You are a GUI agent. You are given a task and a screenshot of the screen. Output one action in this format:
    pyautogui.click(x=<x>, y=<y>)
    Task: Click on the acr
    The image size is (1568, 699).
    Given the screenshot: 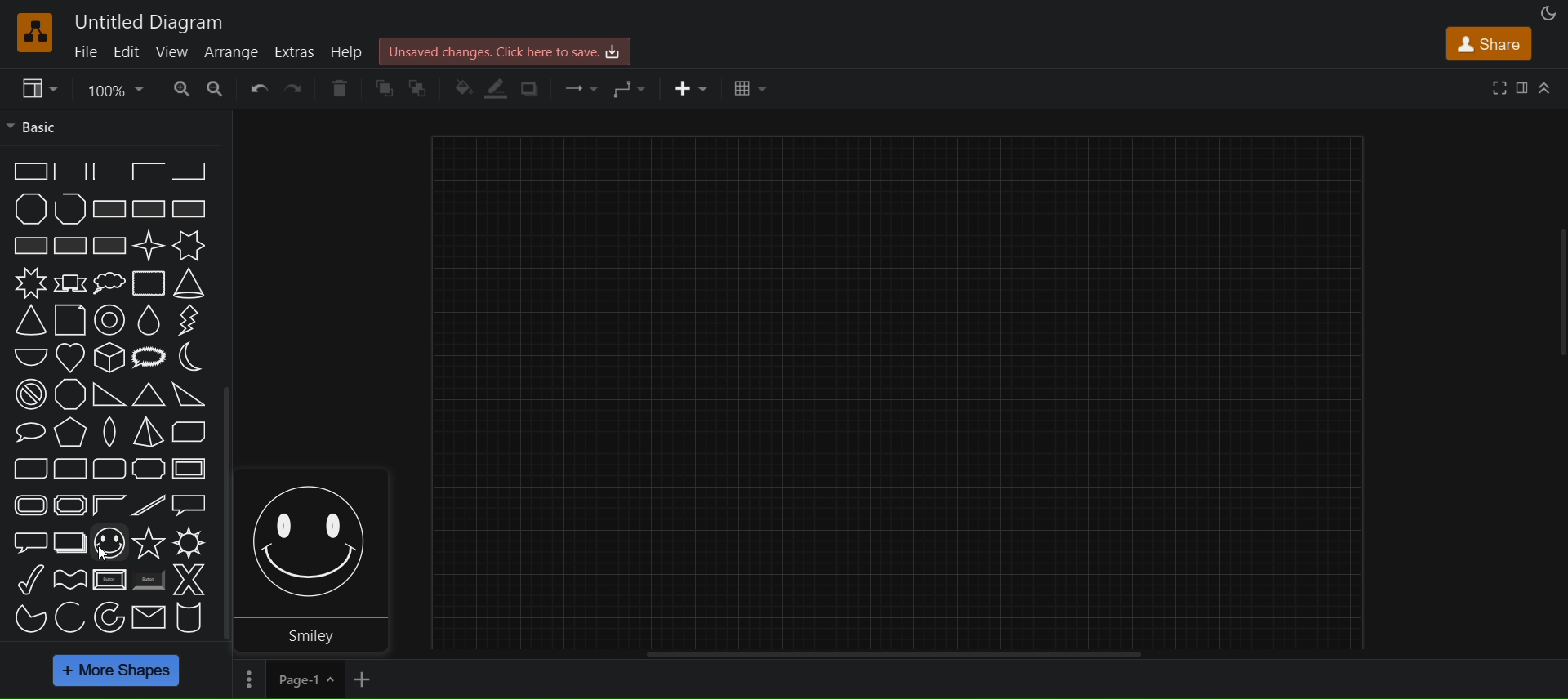 What is the action you would take?
    pyautogui.click(x=69, y=617)
    